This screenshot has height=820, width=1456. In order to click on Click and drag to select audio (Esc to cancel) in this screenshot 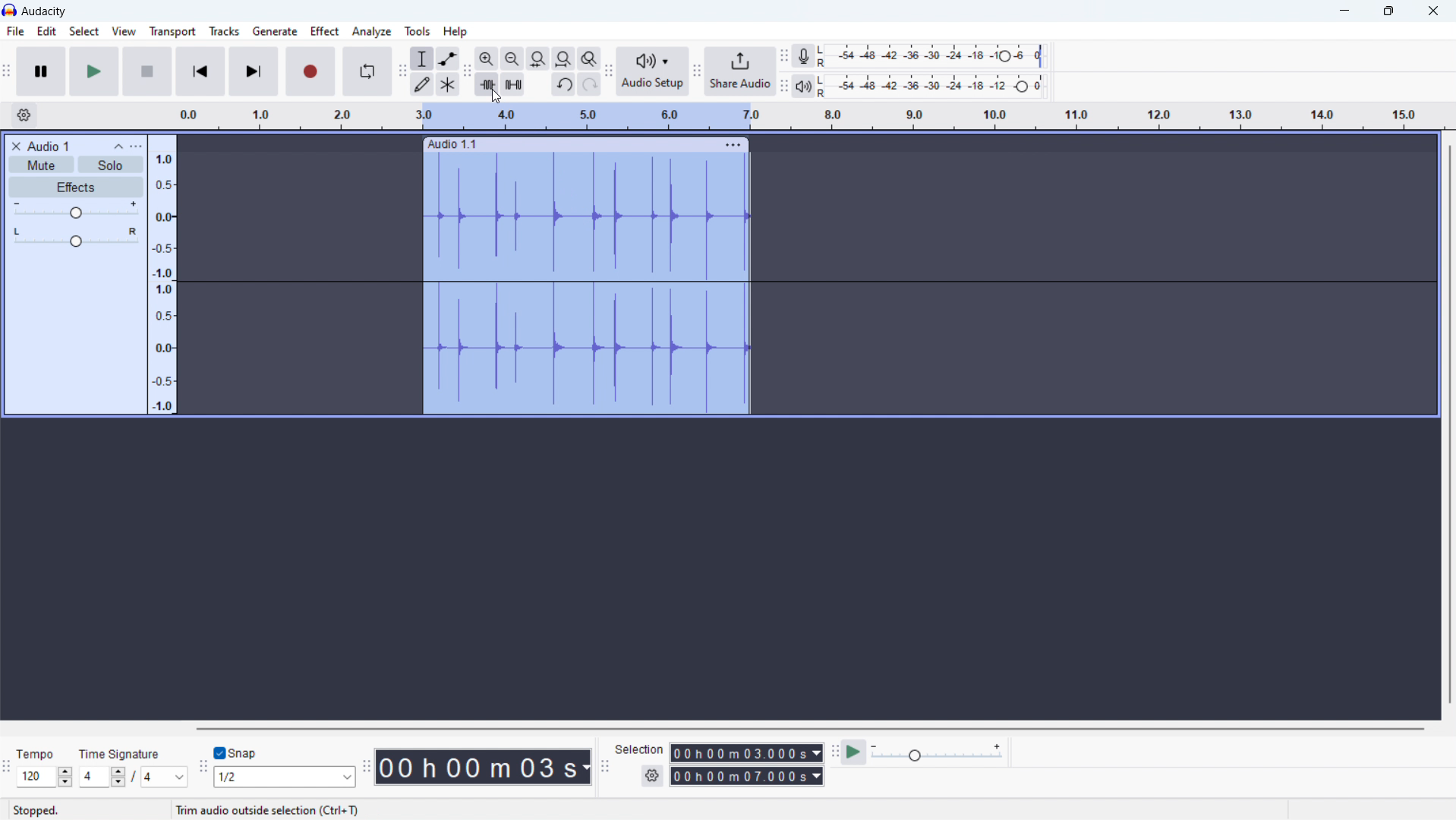, I will do `click(297, 811)`.